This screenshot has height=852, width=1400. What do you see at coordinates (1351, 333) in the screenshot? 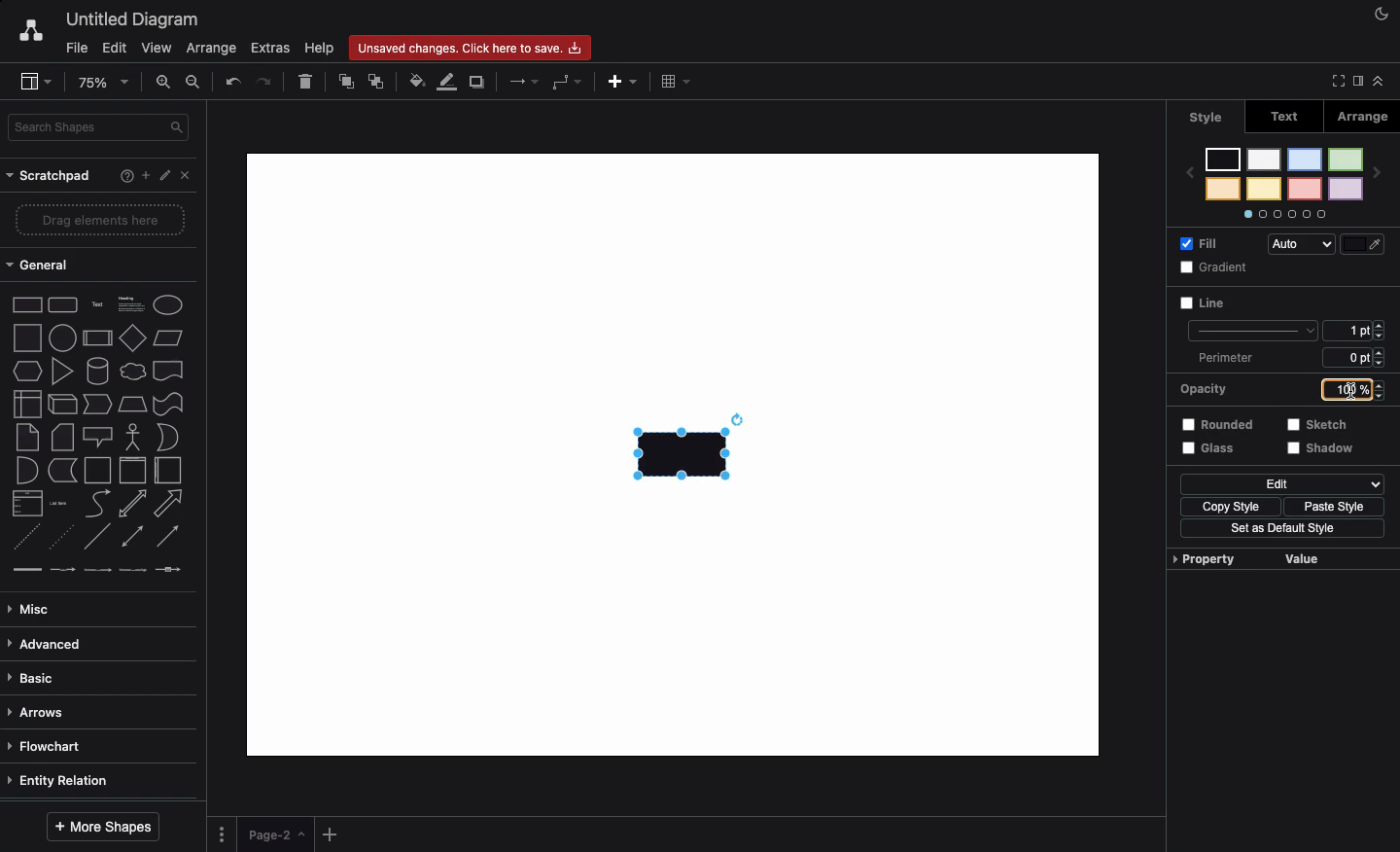
I see `1 pt` at bounding box center [1351, 333].